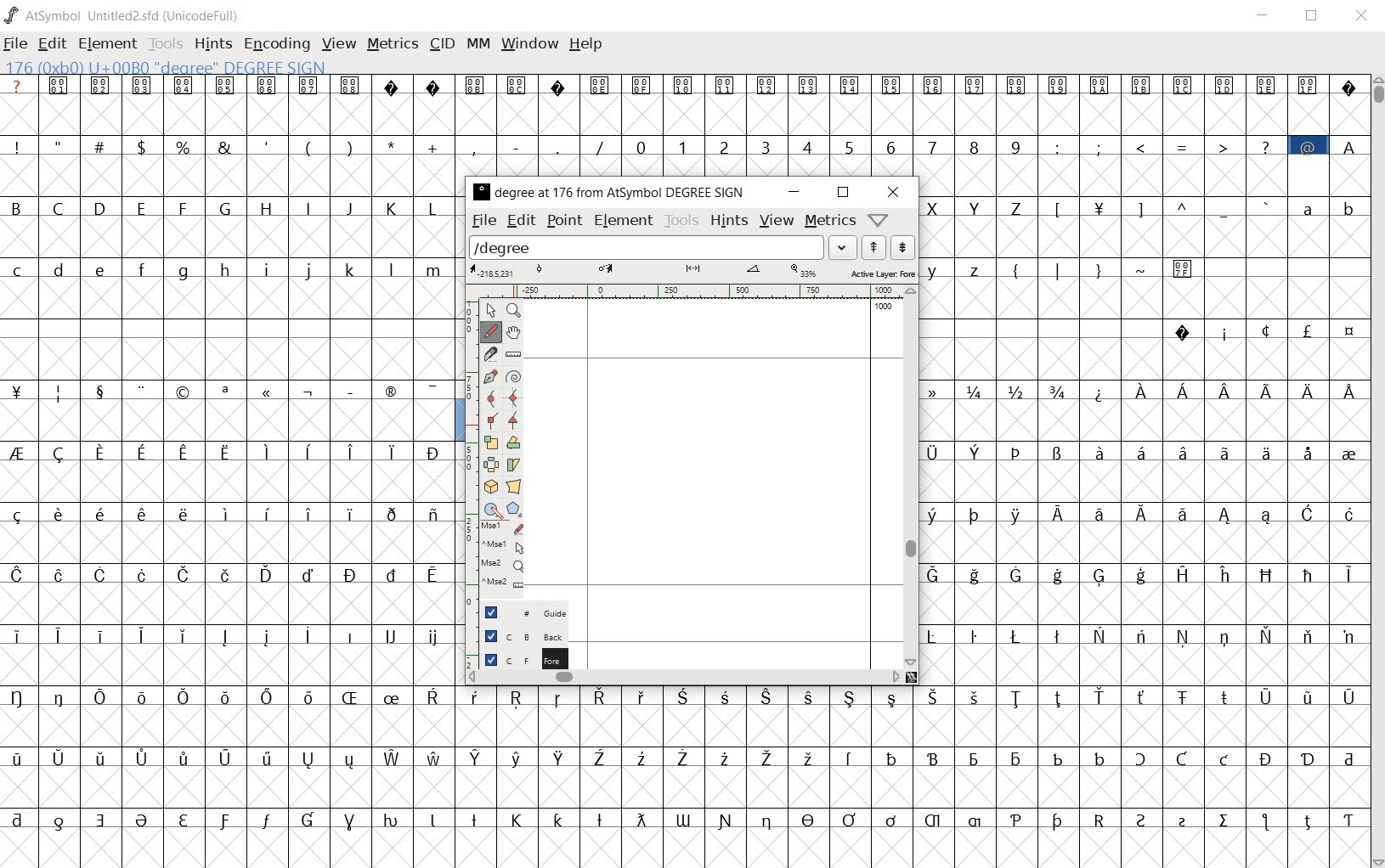 This screenshot has height=868, width=1385. What do you see at coordinates (443, 44) in the screenshot?
I see `cid` at bounding box center [443, 44].